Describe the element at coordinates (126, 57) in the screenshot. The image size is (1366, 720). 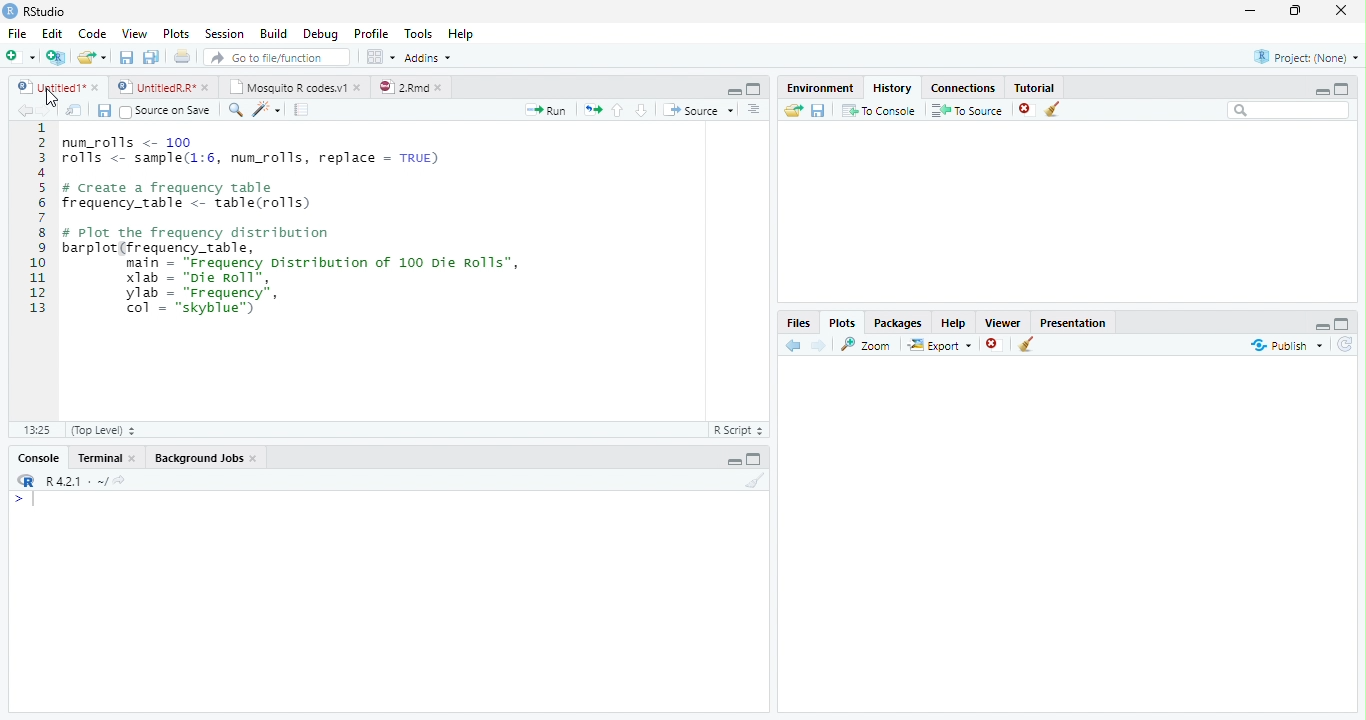
I see `Save current file` at that location.